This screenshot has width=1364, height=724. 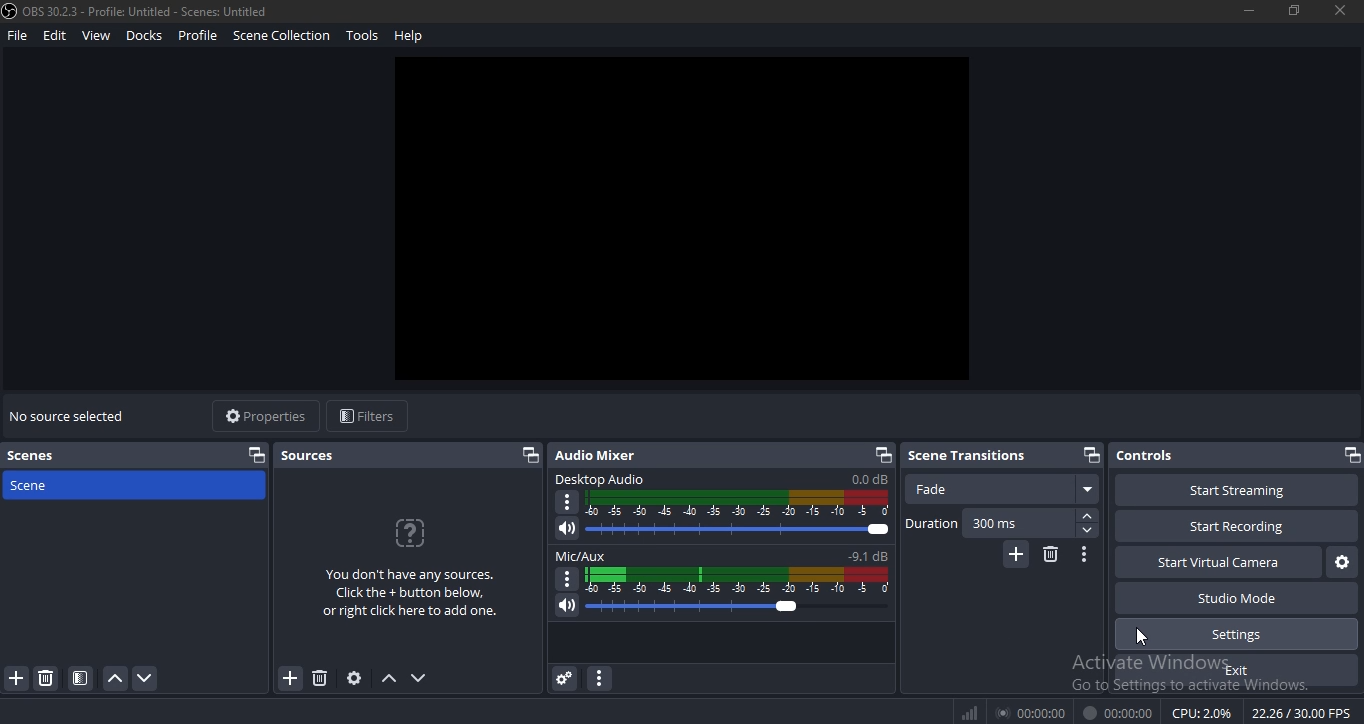 I want to click on move up, so click(x=389, y=679).